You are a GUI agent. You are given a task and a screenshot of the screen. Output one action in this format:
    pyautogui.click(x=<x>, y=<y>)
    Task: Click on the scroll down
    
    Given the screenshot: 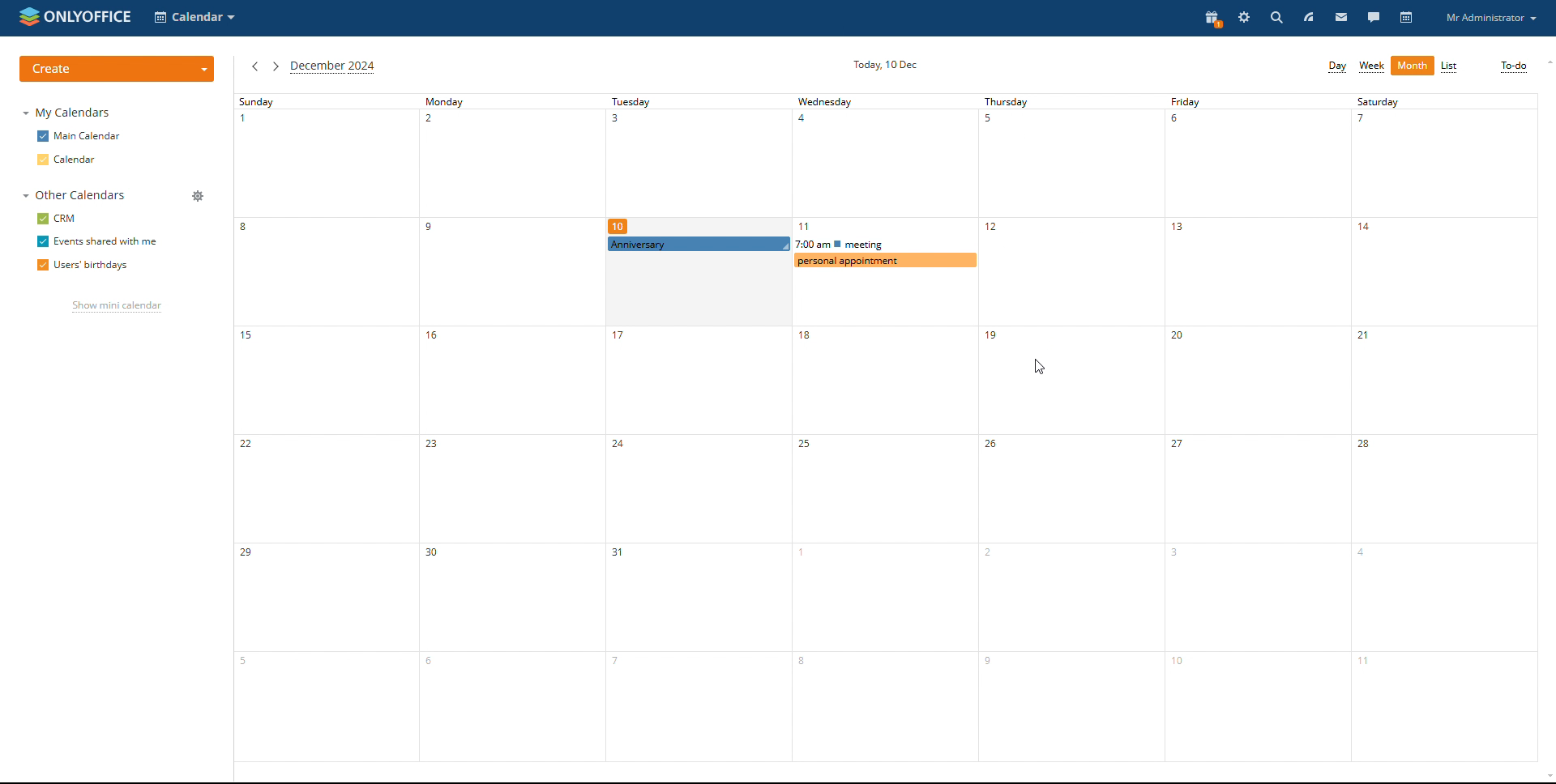 What is the action you would take?
    pyautogui.click(x=1546, y=777)
    